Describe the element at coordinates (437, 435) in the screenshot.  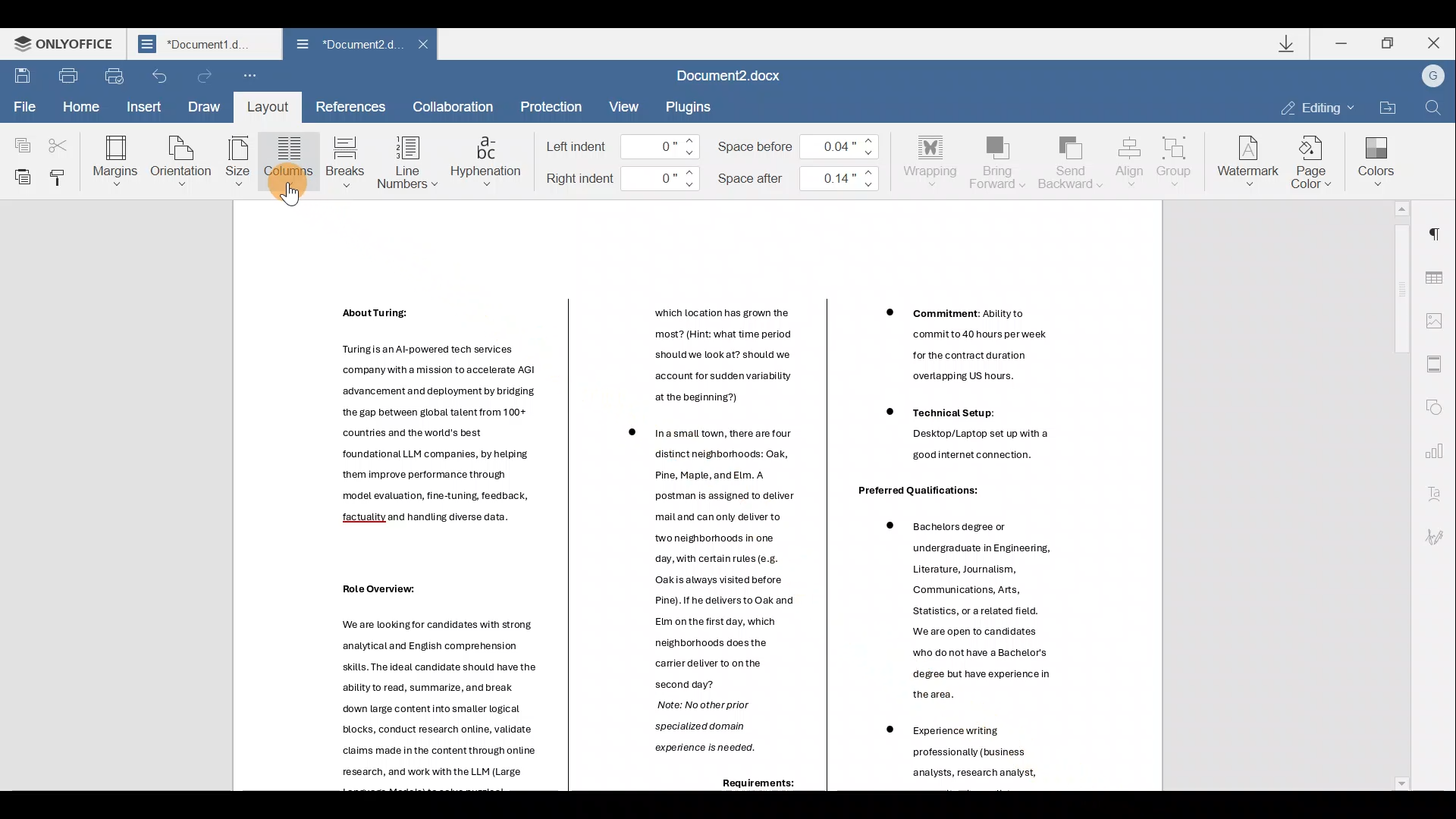
I see `` at that location.